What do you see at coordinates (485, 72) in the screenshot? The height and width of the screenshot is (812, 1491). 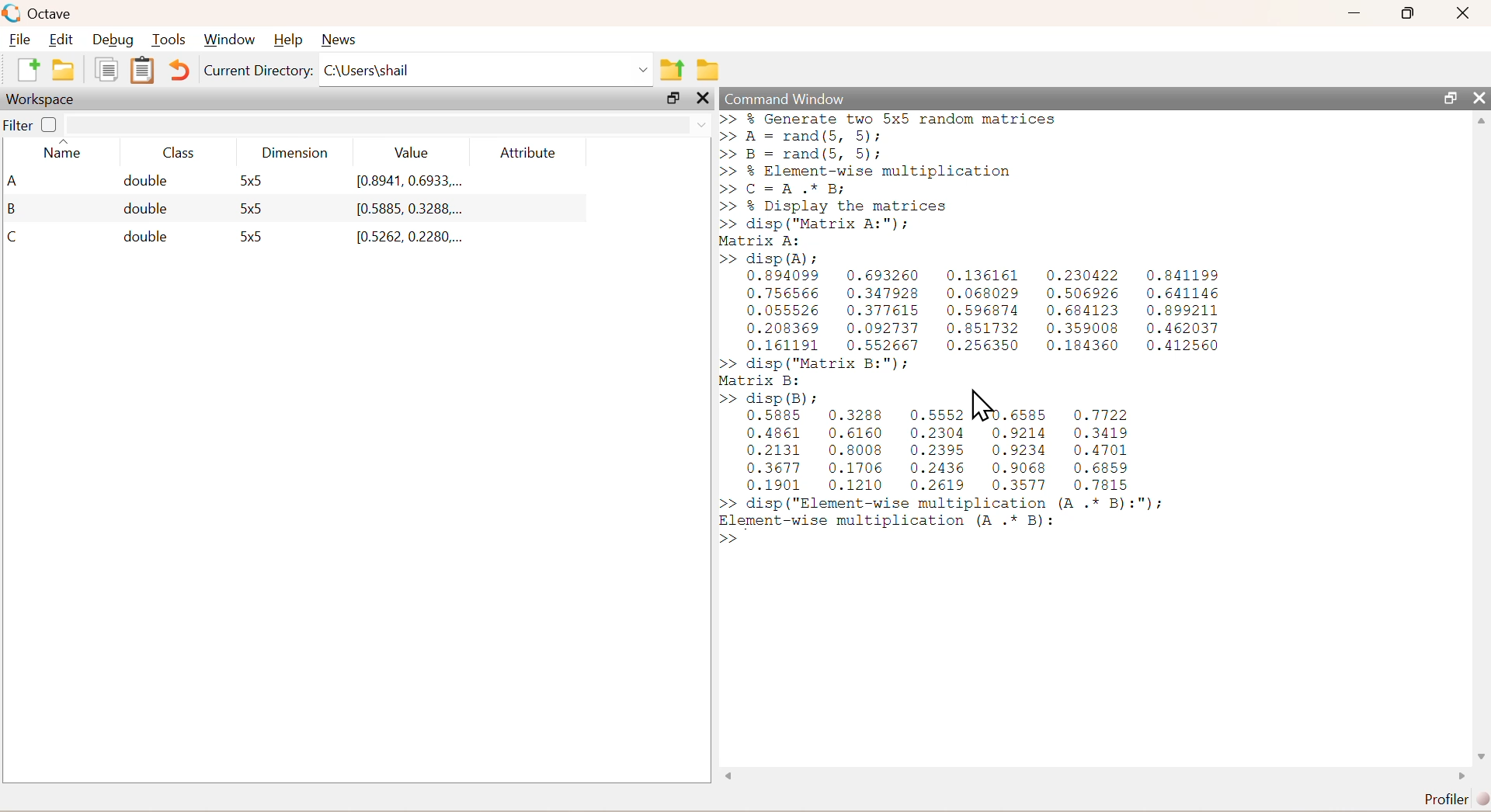 I see `C:/Users/Shail` at bounding box center [485, 72].